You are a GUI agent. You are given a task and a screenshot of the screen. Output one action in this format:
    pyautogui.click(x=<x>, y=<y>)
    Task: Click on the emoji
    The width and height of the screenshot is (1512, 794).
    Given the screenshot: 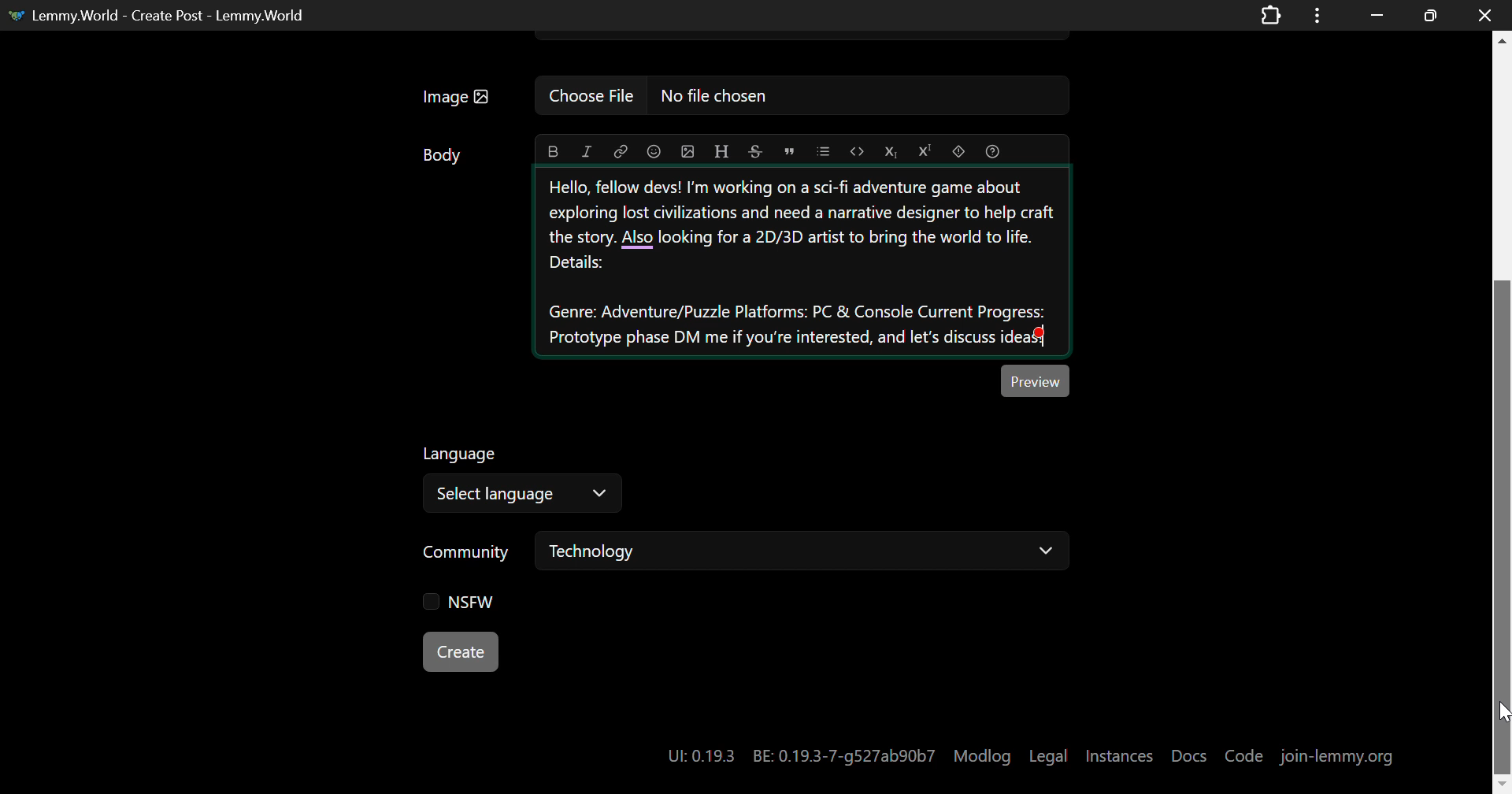 What is the action you would take?
    pyautogui.click(x=654, y=150)
    